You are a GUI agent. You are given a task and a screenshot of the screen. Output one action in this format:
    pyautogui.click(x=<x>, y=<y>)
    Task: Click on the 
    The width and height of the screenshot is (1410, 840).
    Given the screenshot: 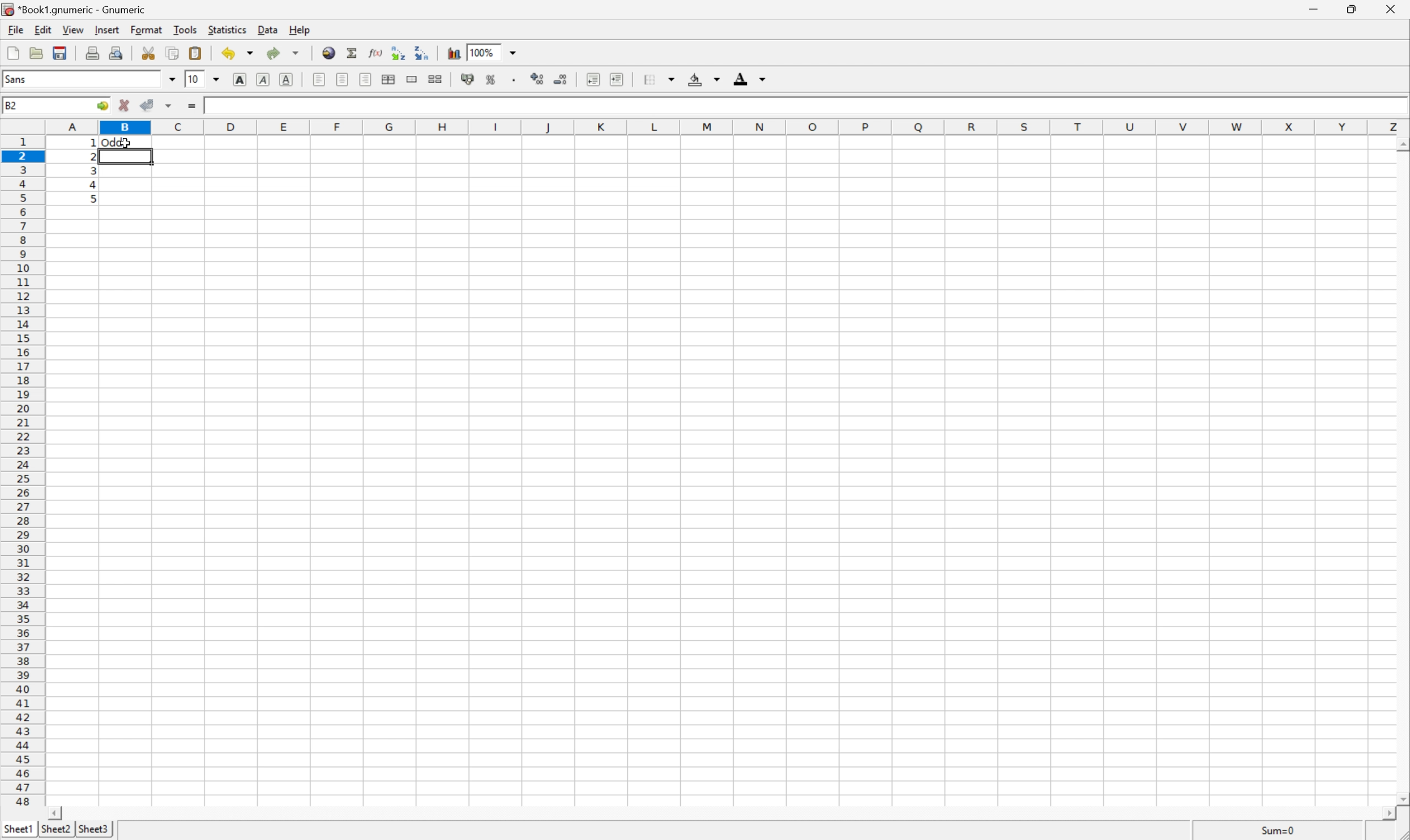 What is the action you would take?
    pyautogui.click(x=1400, y=148)
    